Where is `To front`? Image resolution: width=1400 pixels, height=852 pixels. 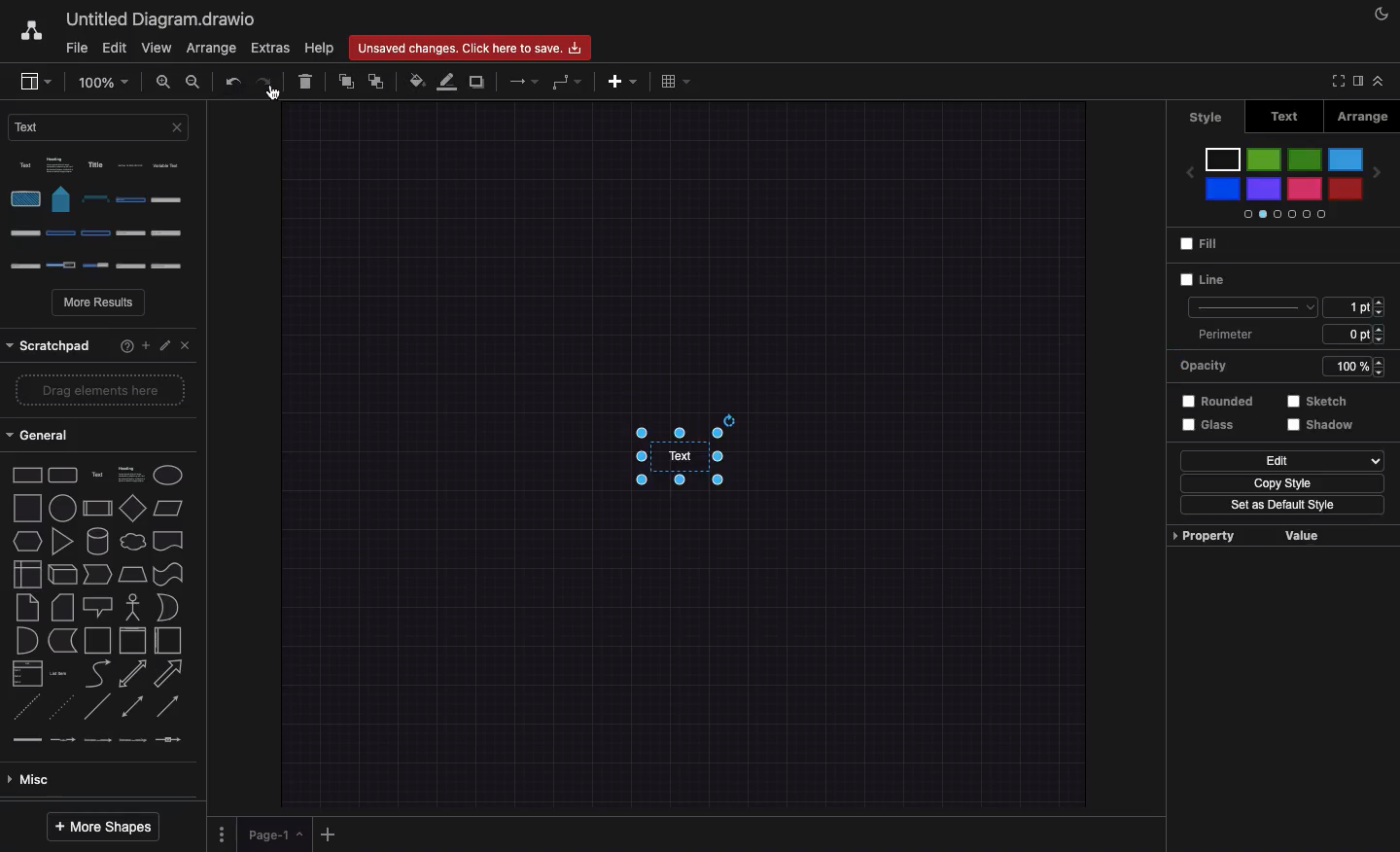
To front is located at coordinates (345, 83).